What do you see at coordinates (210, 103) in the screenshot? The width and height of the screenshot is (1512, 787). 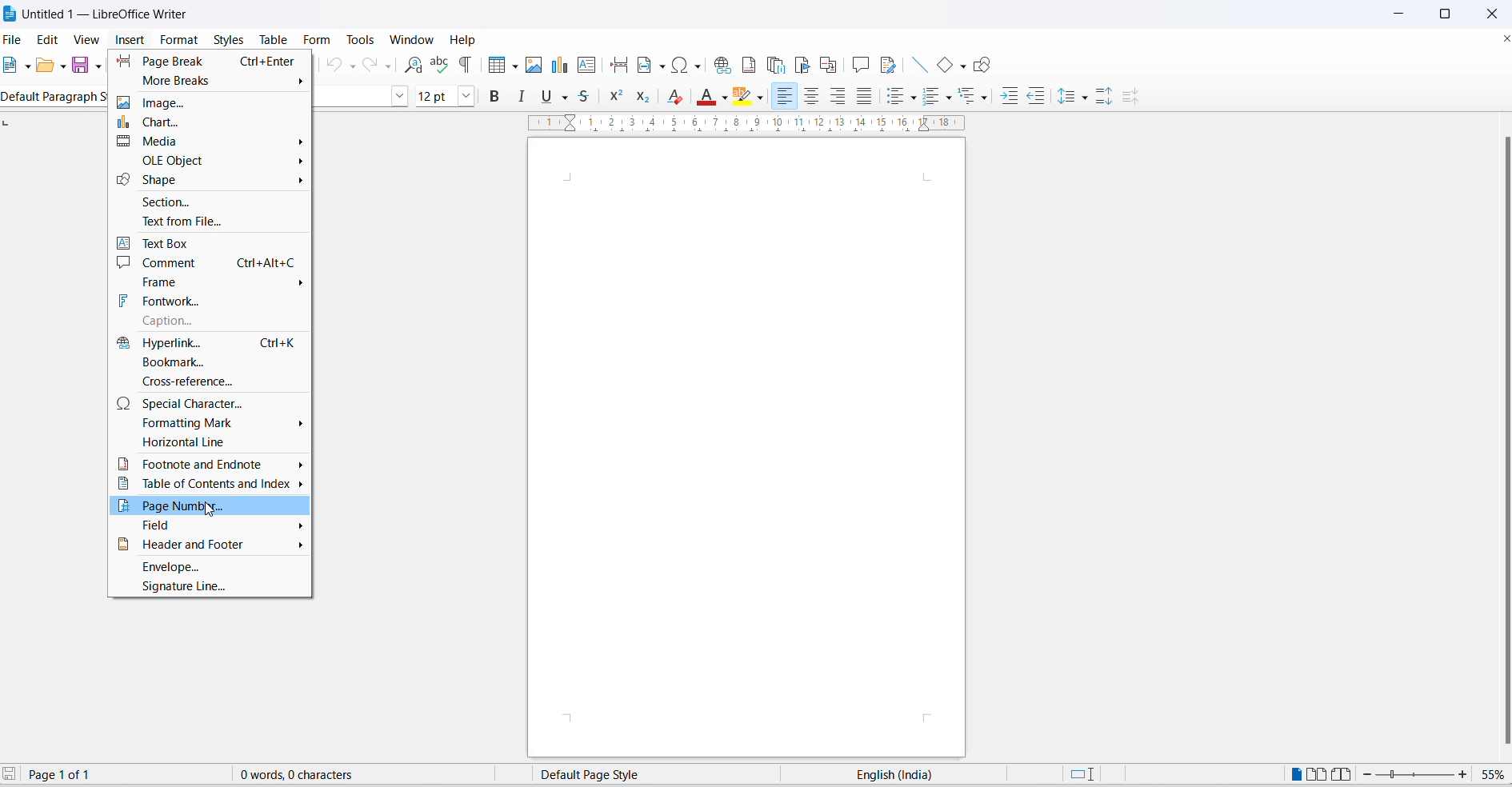 I see `image` at bounding box center [210, 103].